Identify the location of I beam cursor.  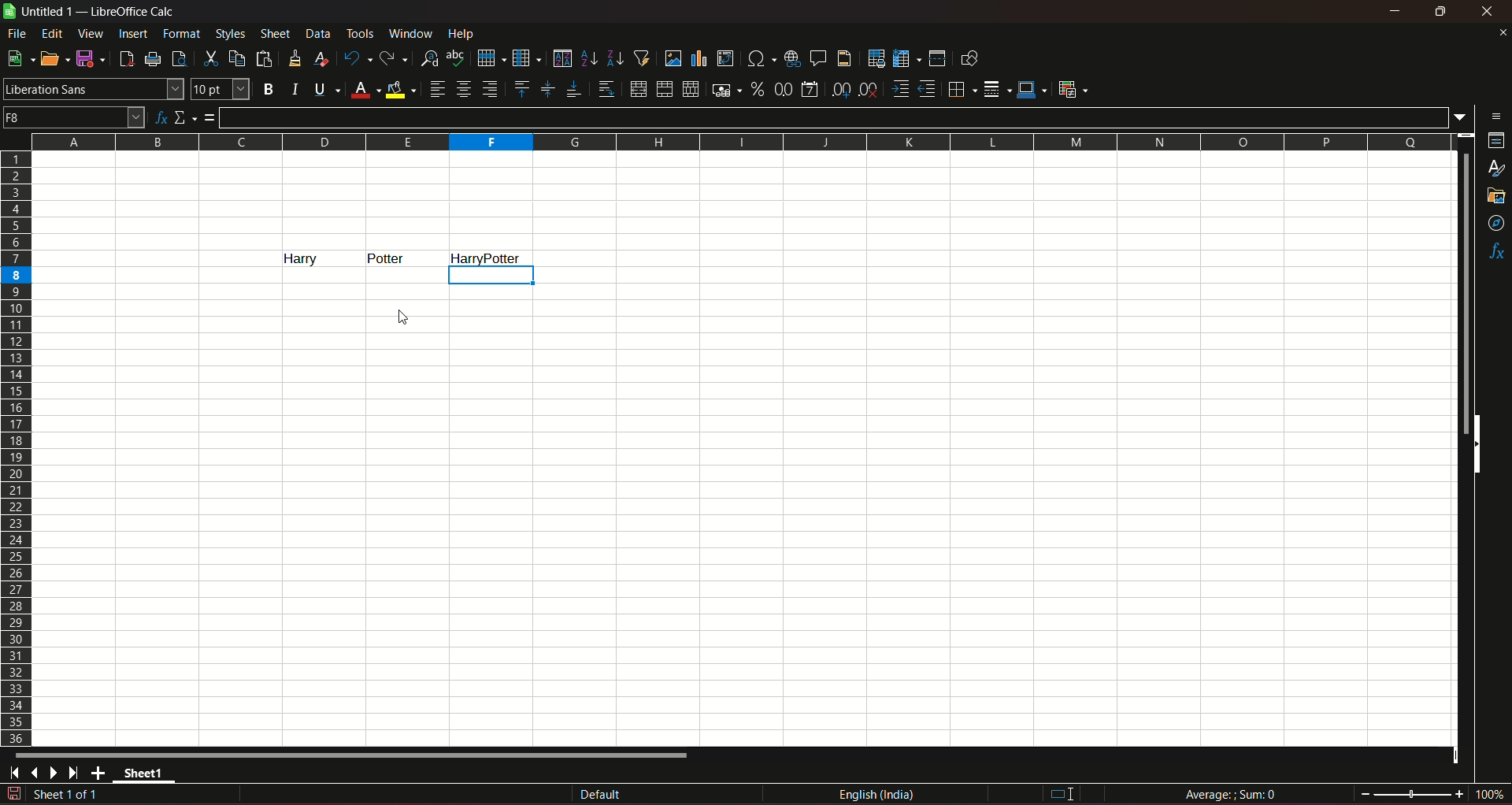
(1063, 795).